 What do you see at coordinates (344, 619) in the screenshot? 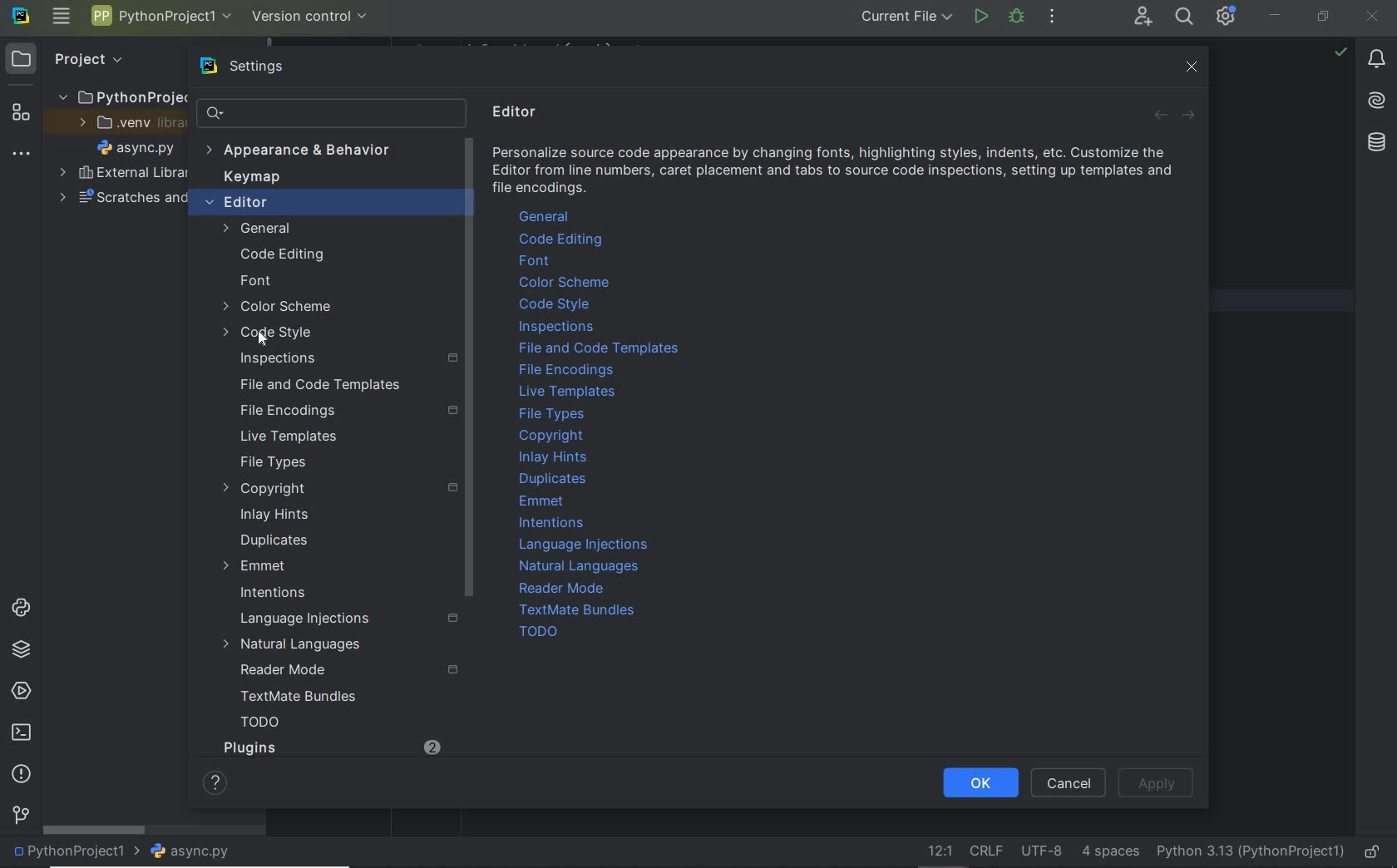
I see `Language Injections` at bounding box center [344, 619].